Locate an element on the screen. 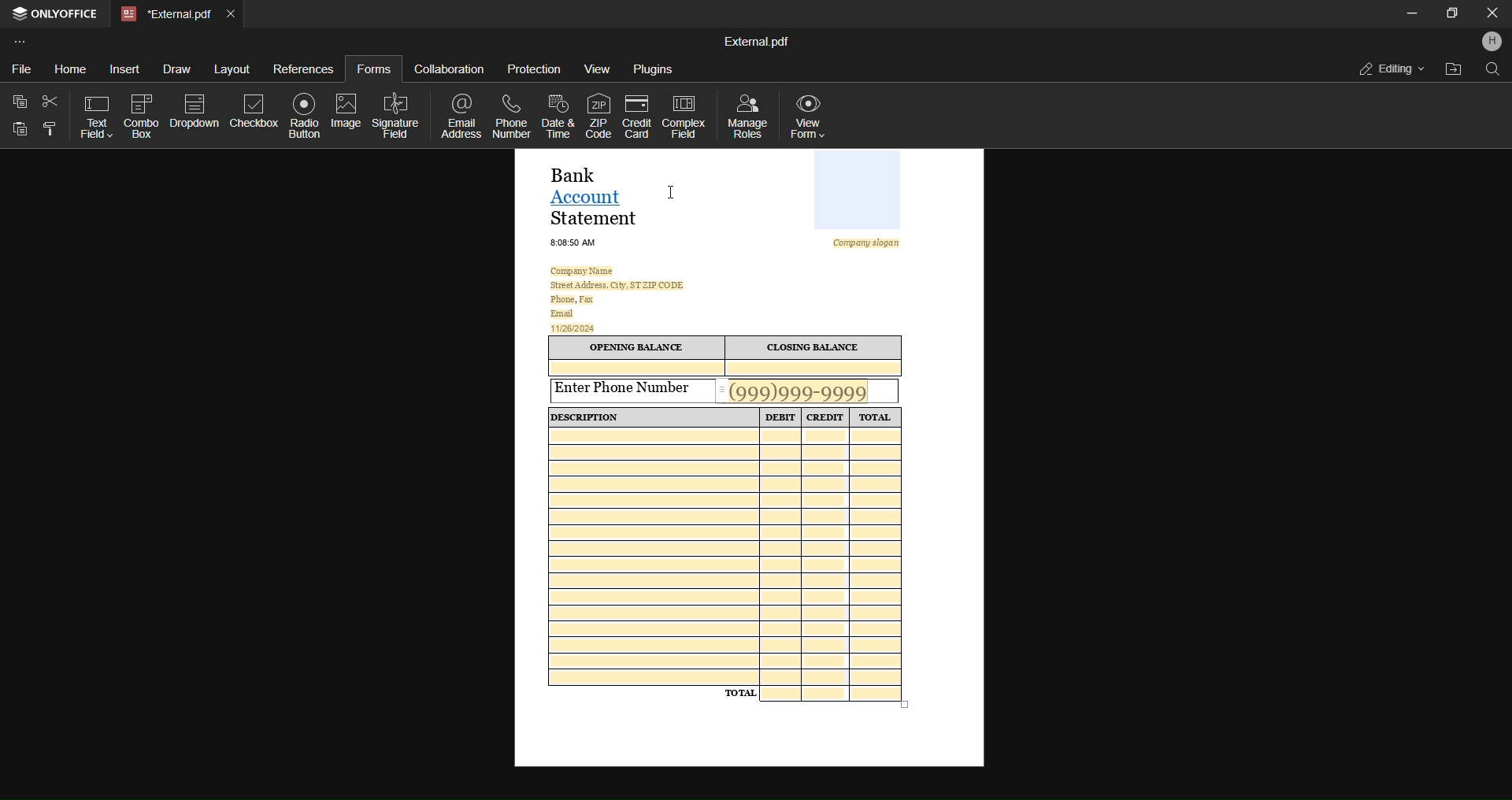 This screenshot has height=800, width=1512. customize toolbar is located at coordinates (24, 39).